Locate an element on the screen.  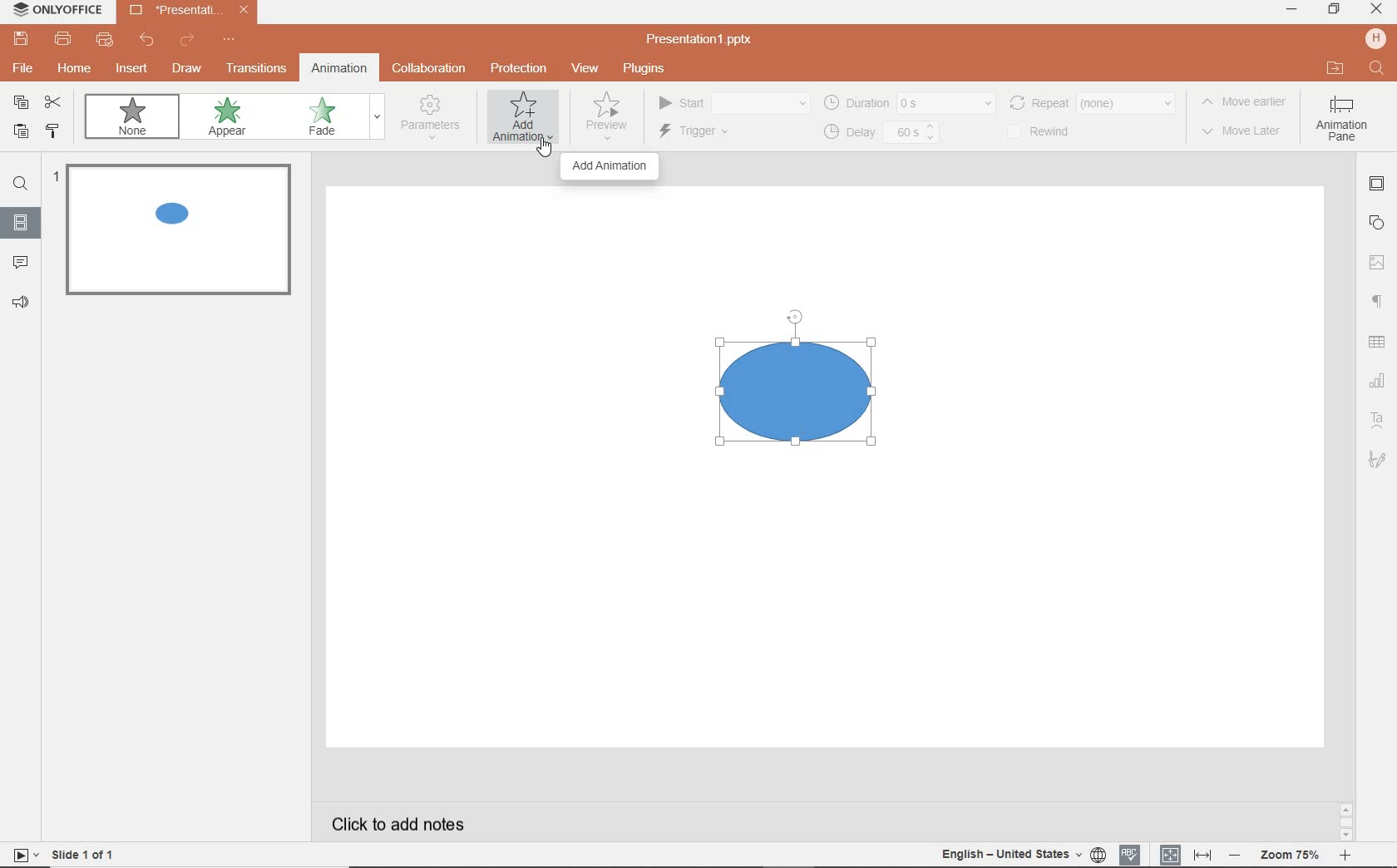
feedback & support is located at coordinates (22, 303).